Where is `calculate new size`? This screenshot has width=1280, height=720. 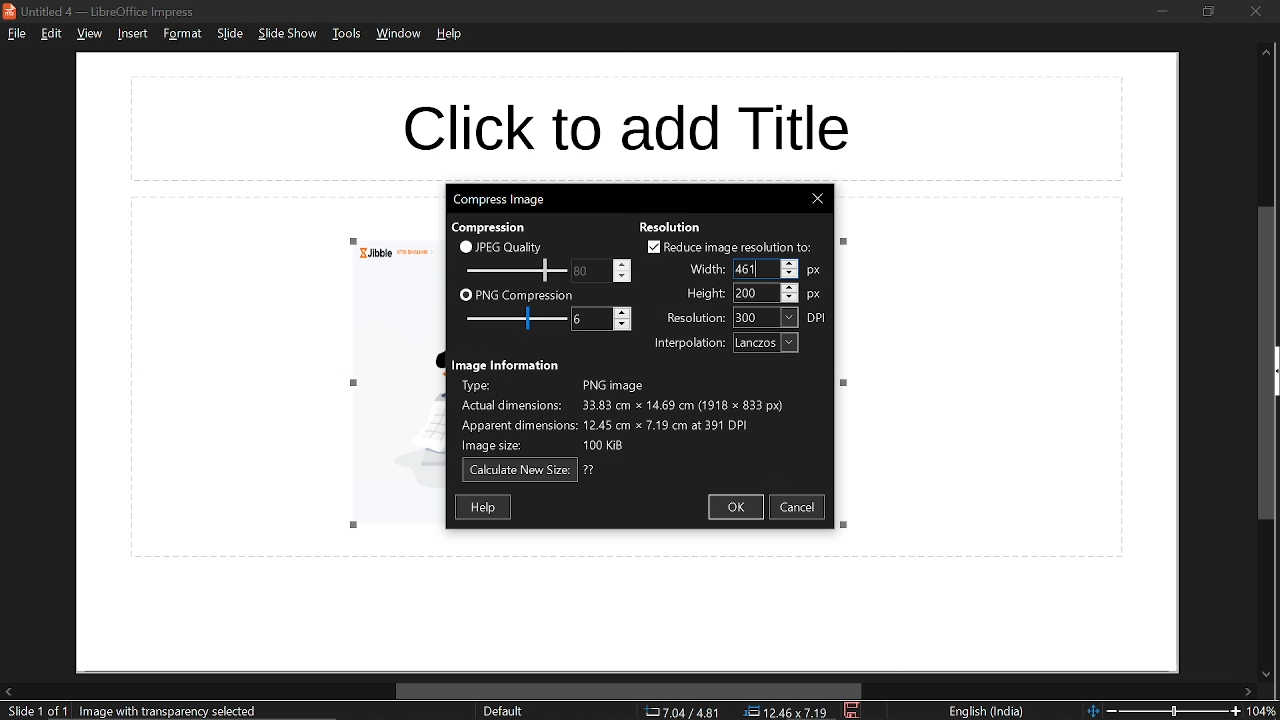
calculate new size is located at coordinates (519, 470).